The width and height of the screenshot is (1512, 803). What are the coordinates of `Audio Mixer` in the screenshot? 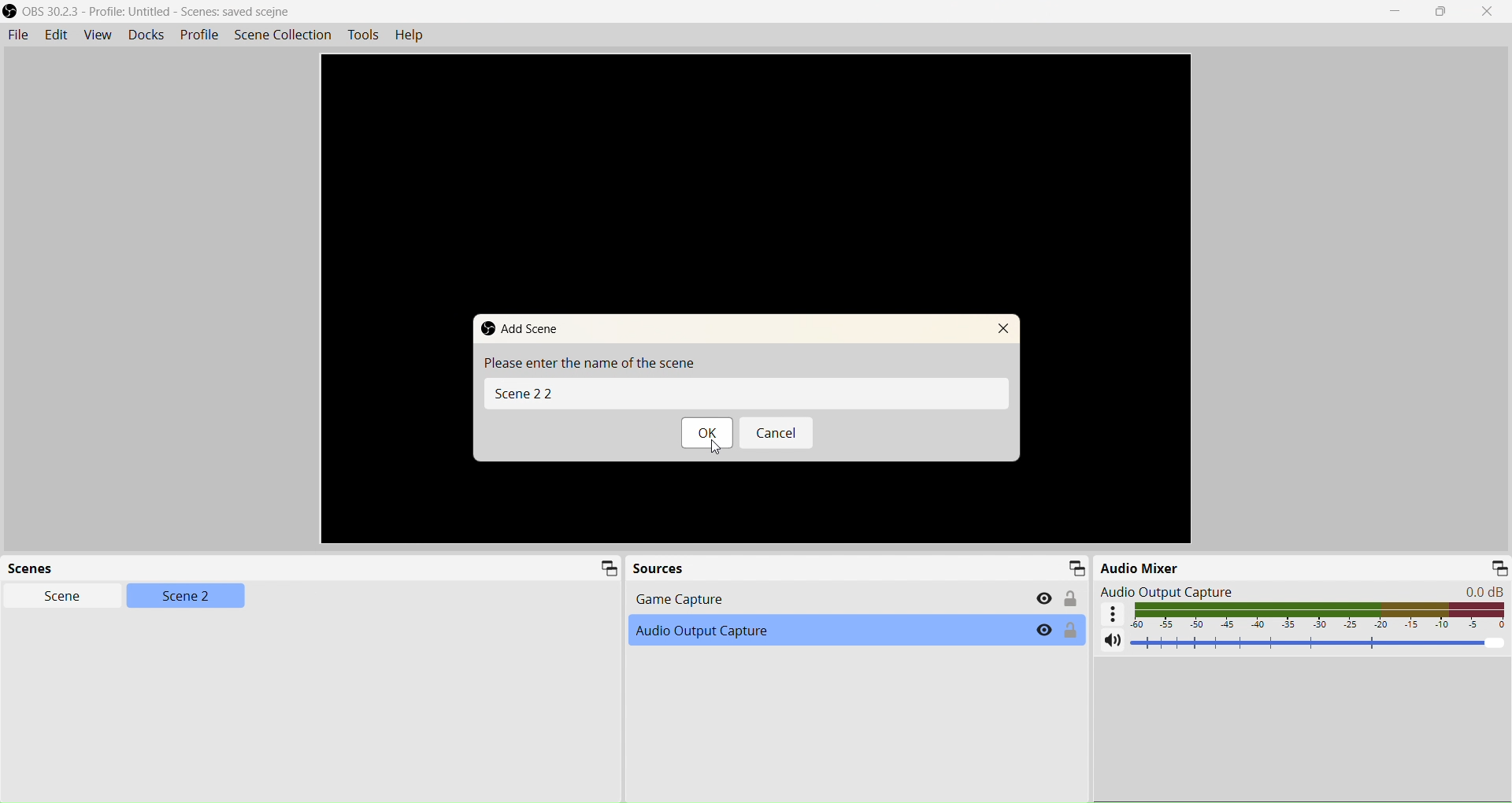 It's located at (1140, 567).